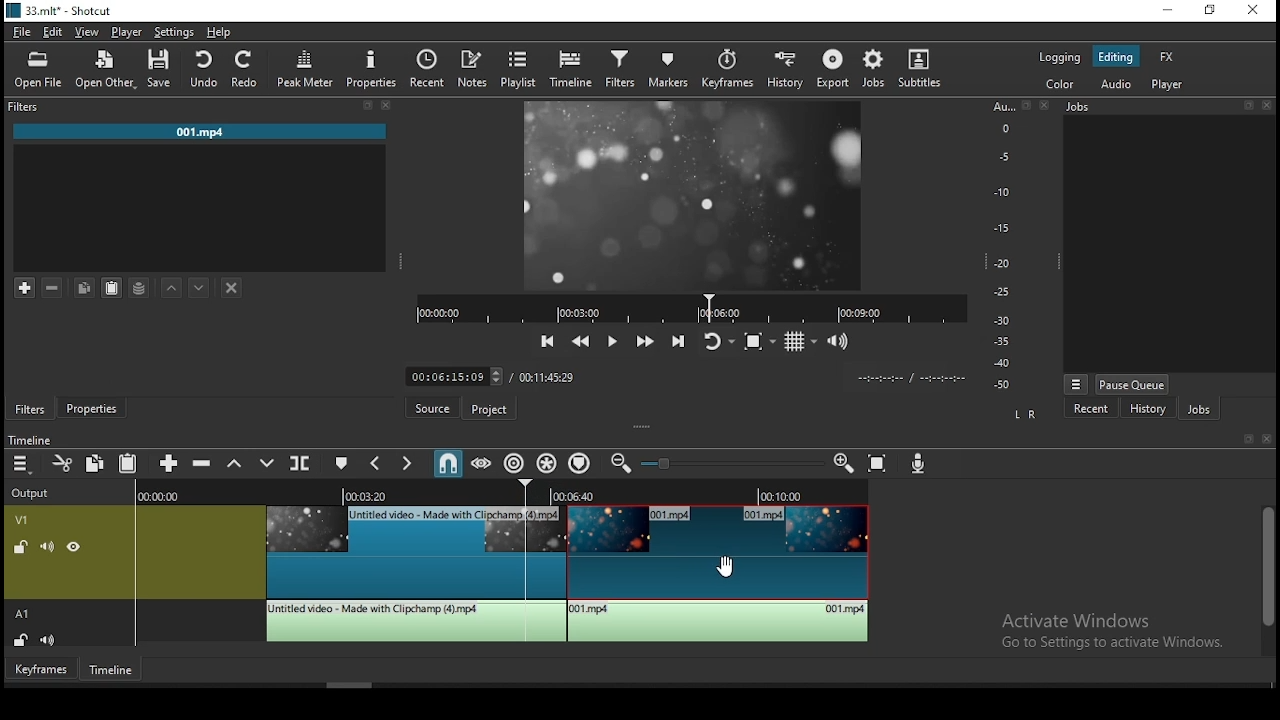 The width and height of the screenshot is (1280, 720). I want to click on video clip, so click(715, 553).